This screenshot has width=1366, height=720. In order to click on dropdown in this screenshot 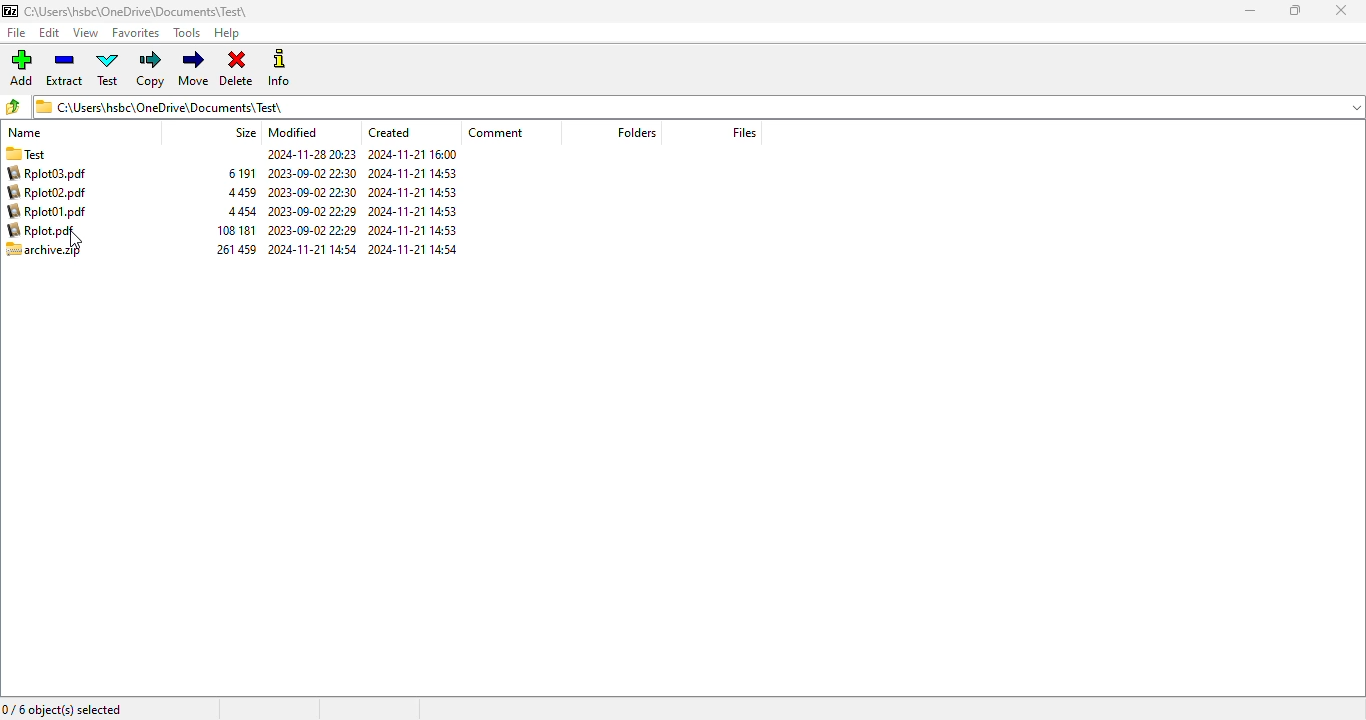, I will do `click(1355, 107)`.